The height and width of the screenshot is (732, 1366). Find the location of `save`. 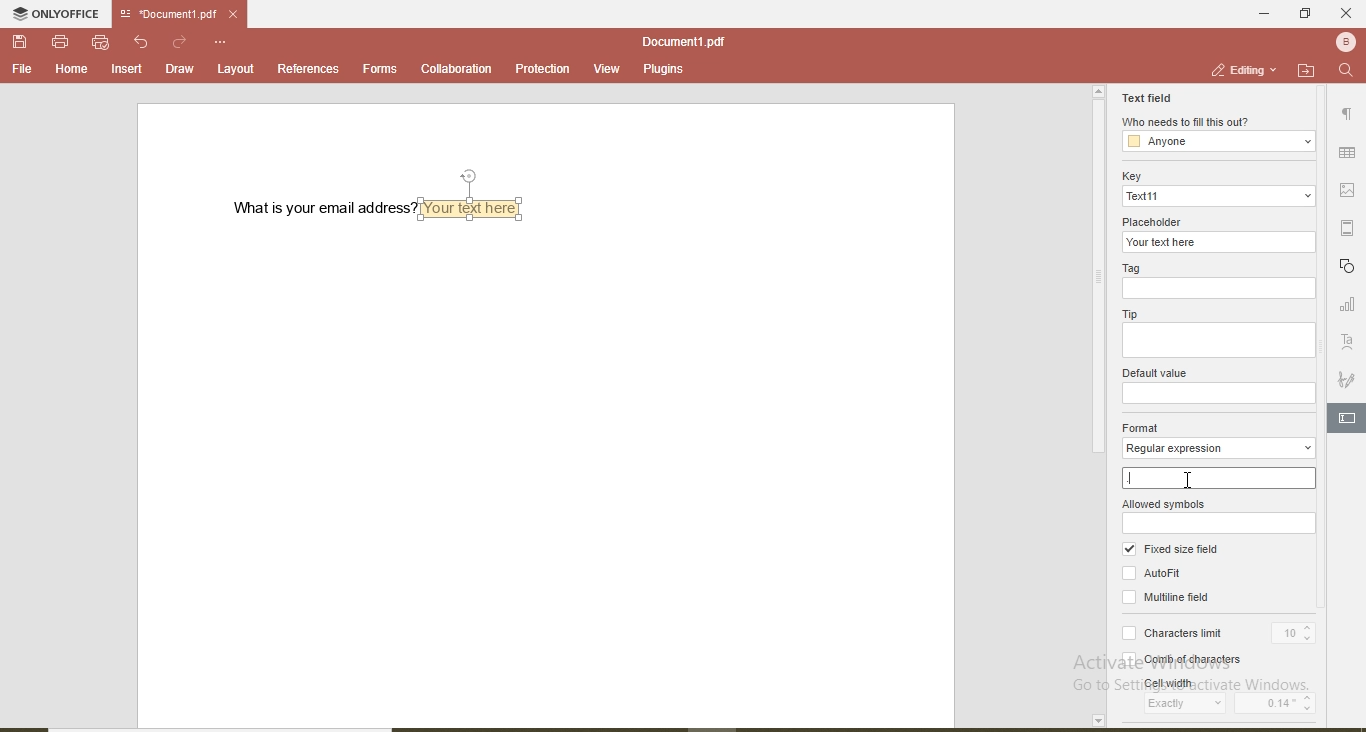

save is located at coordinates (22, 43).